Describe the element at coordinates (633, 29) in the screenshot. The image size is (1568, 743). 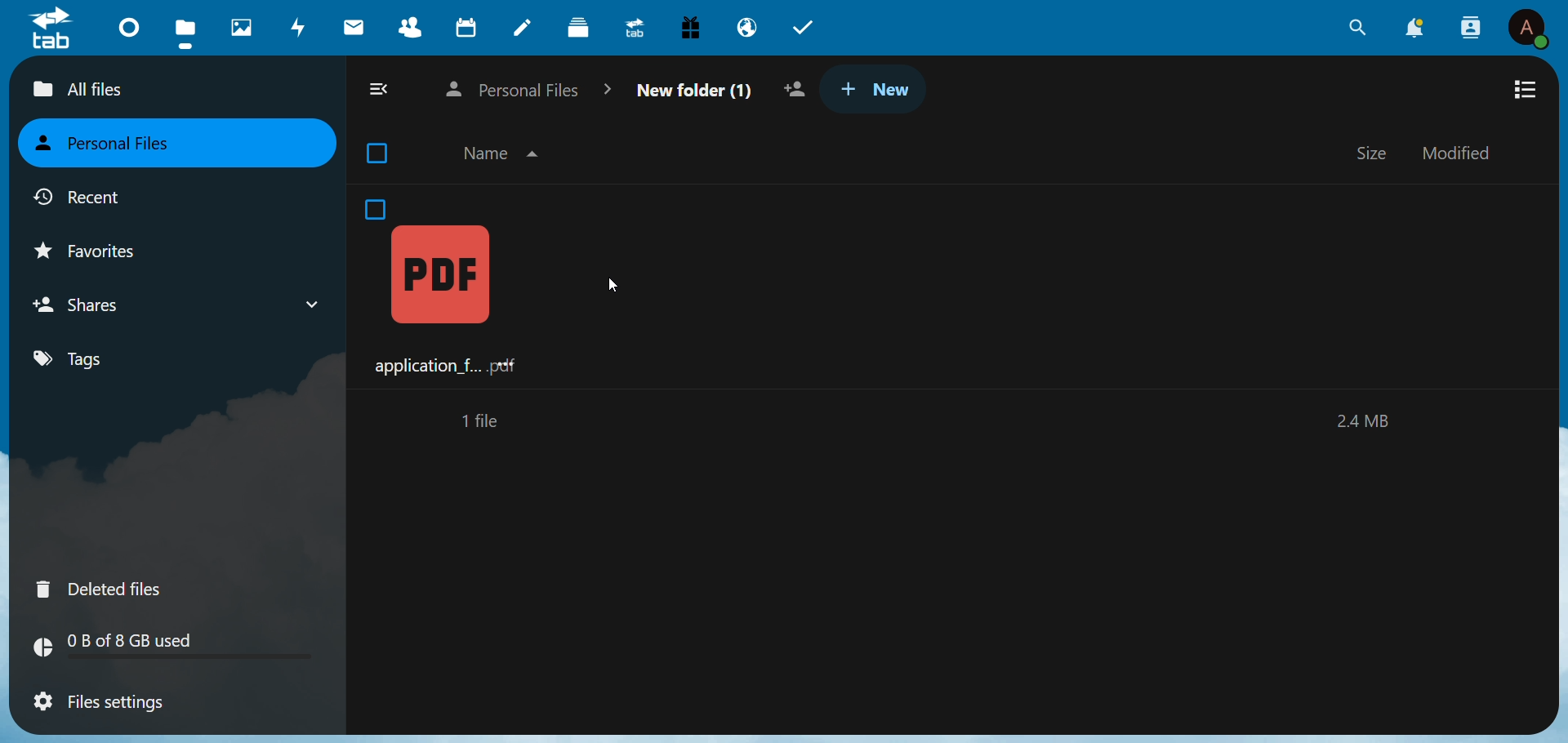
I see `upgrade` at that location.